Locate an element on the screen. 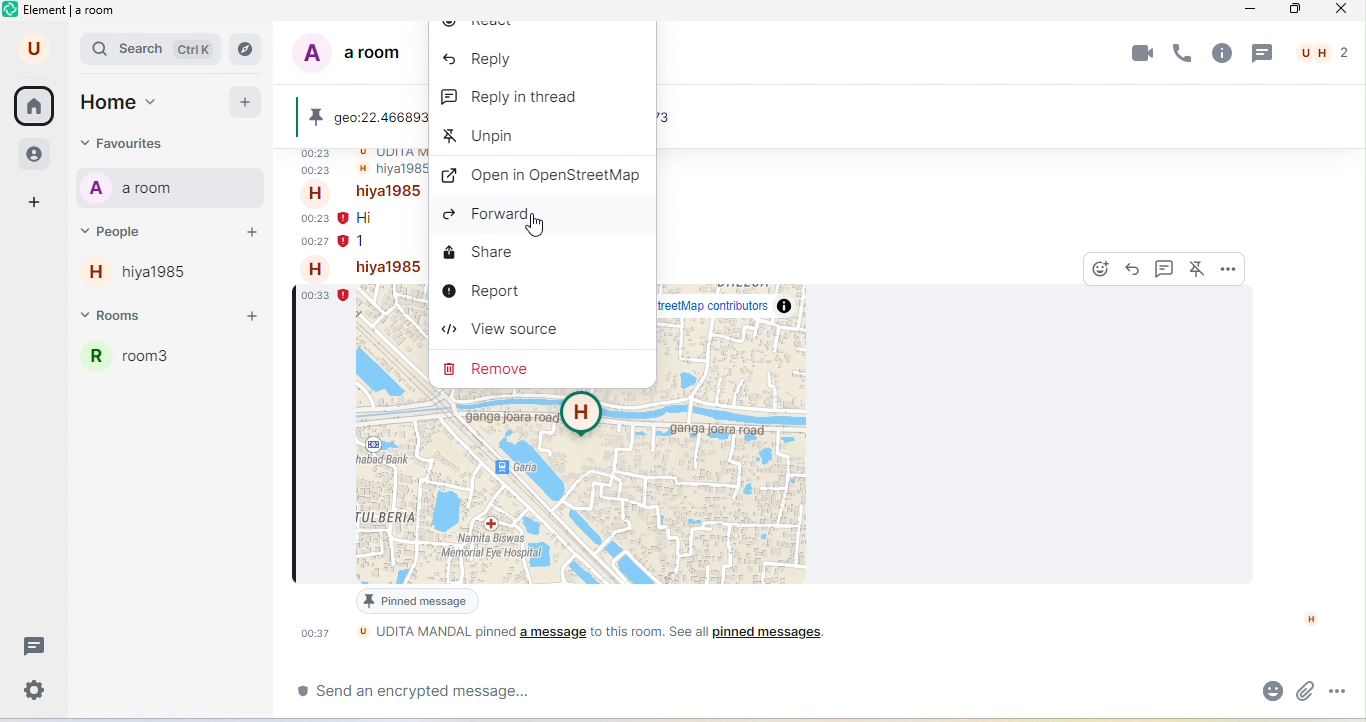 The width and height of the screenshot is (1366, 722). h is located at coordinates (320, 268).